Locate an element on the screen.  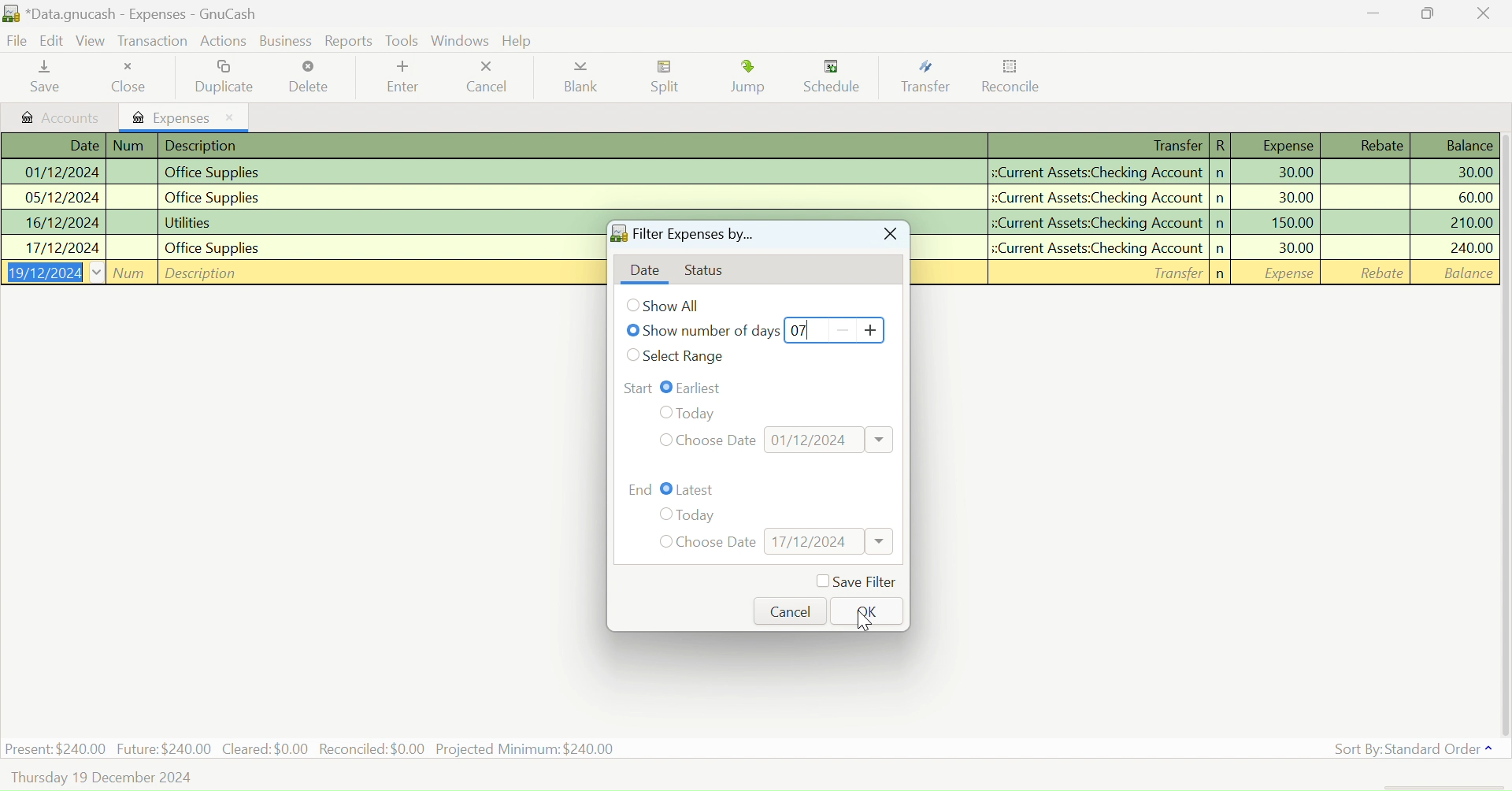
Status is located at coordinates (710, 272).